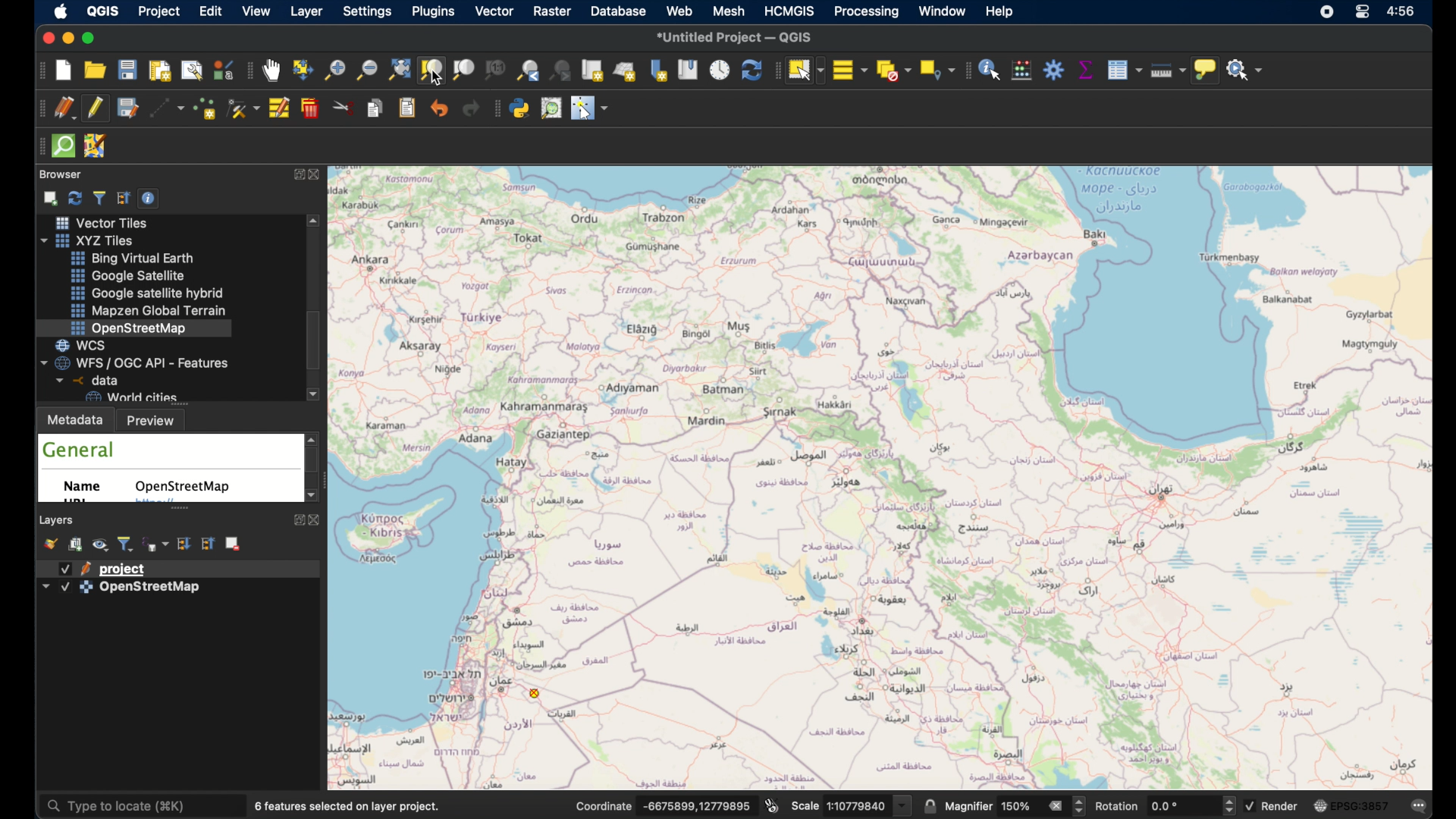 This screenshot has height=819, width=1456. I want to click on time, so click(1404, 13).